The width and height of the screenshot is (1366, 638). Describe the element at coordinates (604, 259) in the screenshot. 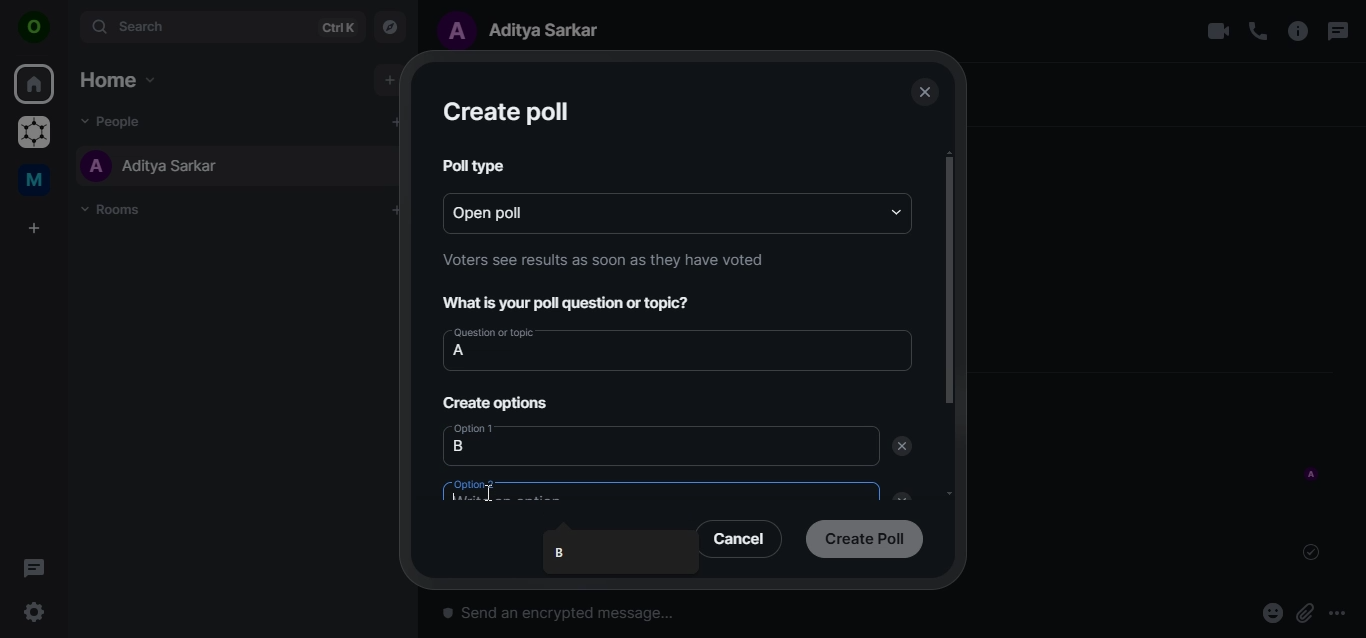

I see `Voters see results as soon as they have voted` at that location.